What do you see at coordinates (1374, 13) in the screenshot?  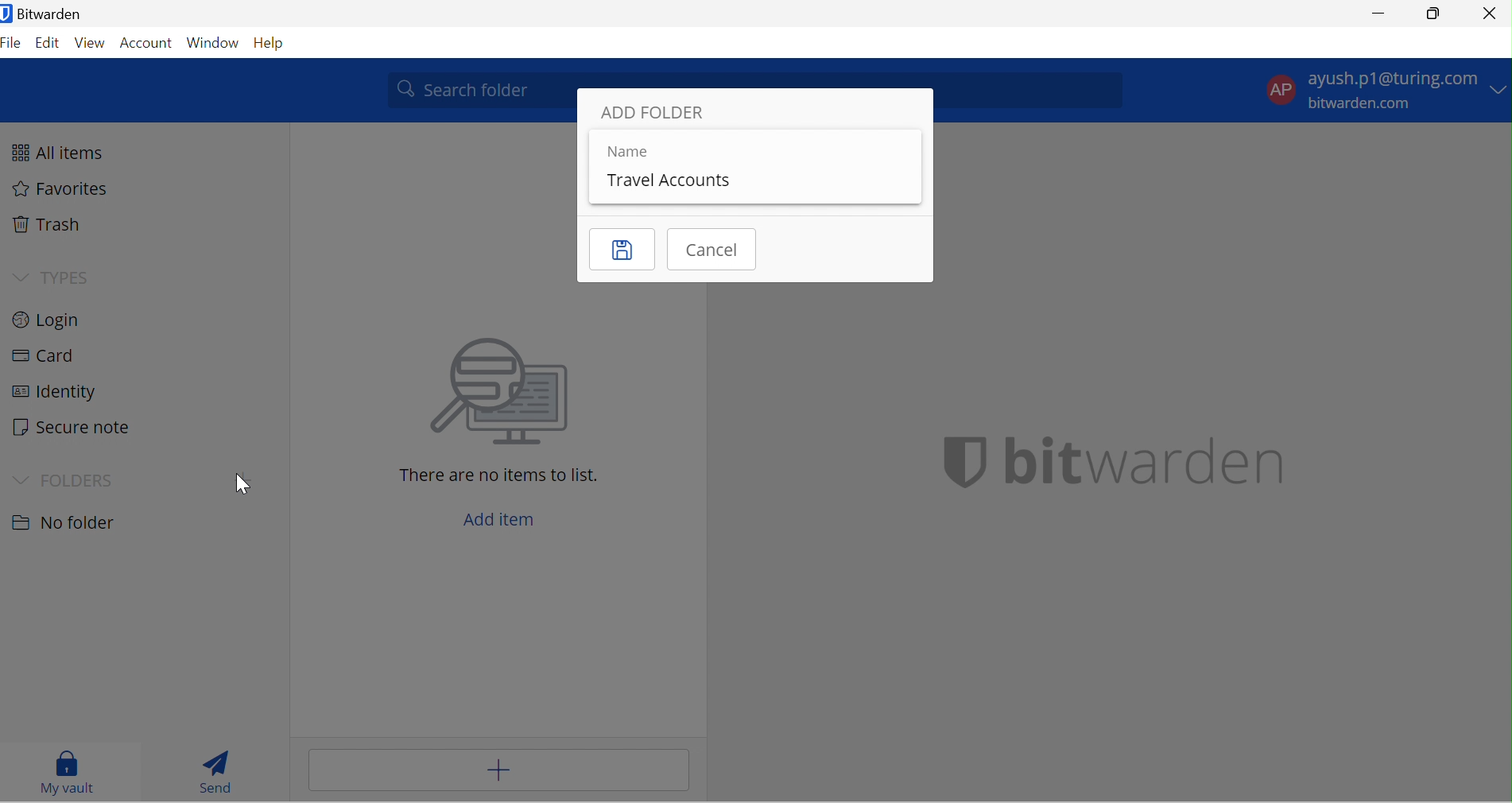 I see `Minimize` at bounding box center [1374, 13].